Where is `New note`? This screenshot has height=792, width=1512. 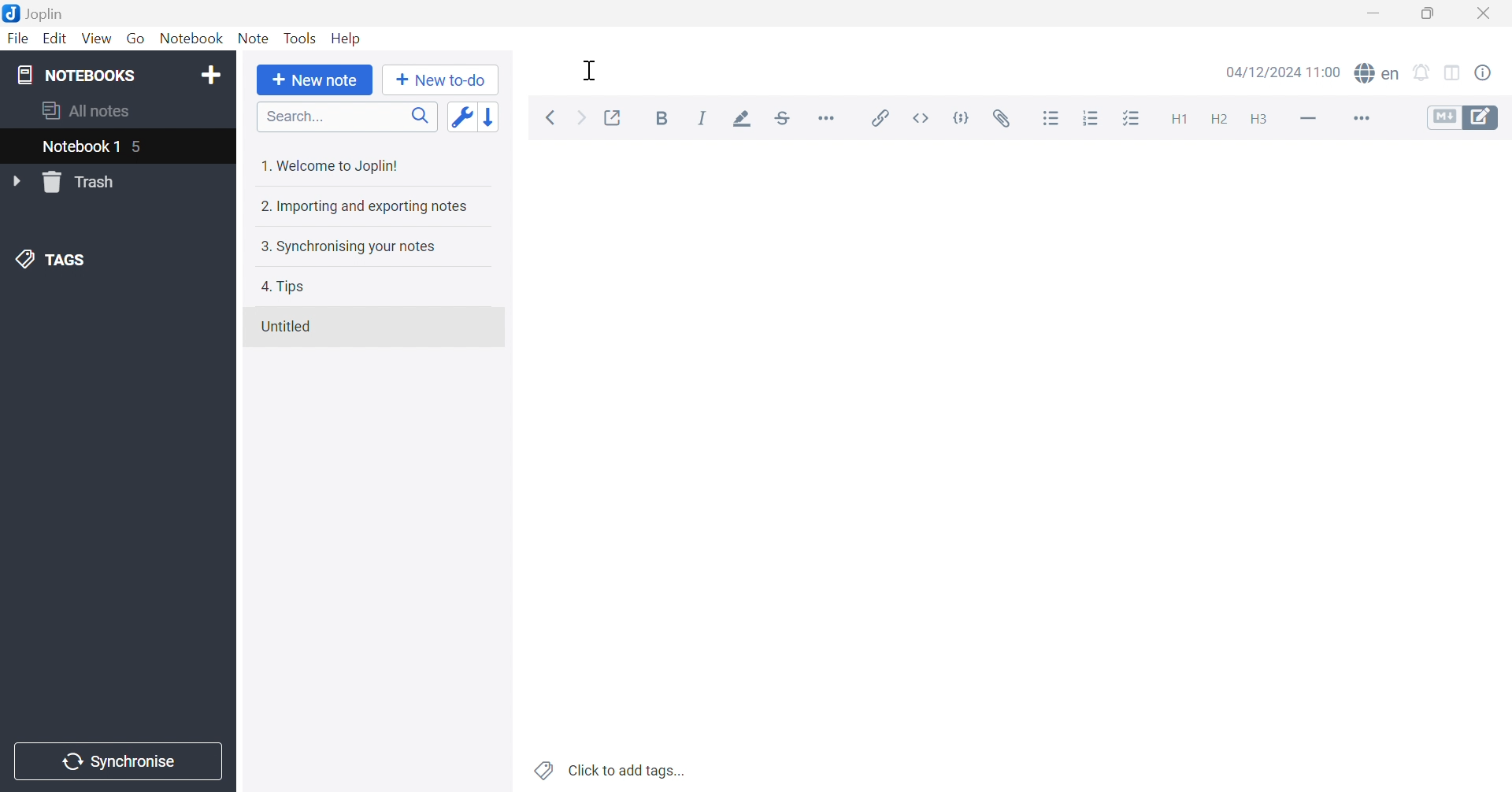
New note is located at coordinates (313, 80).